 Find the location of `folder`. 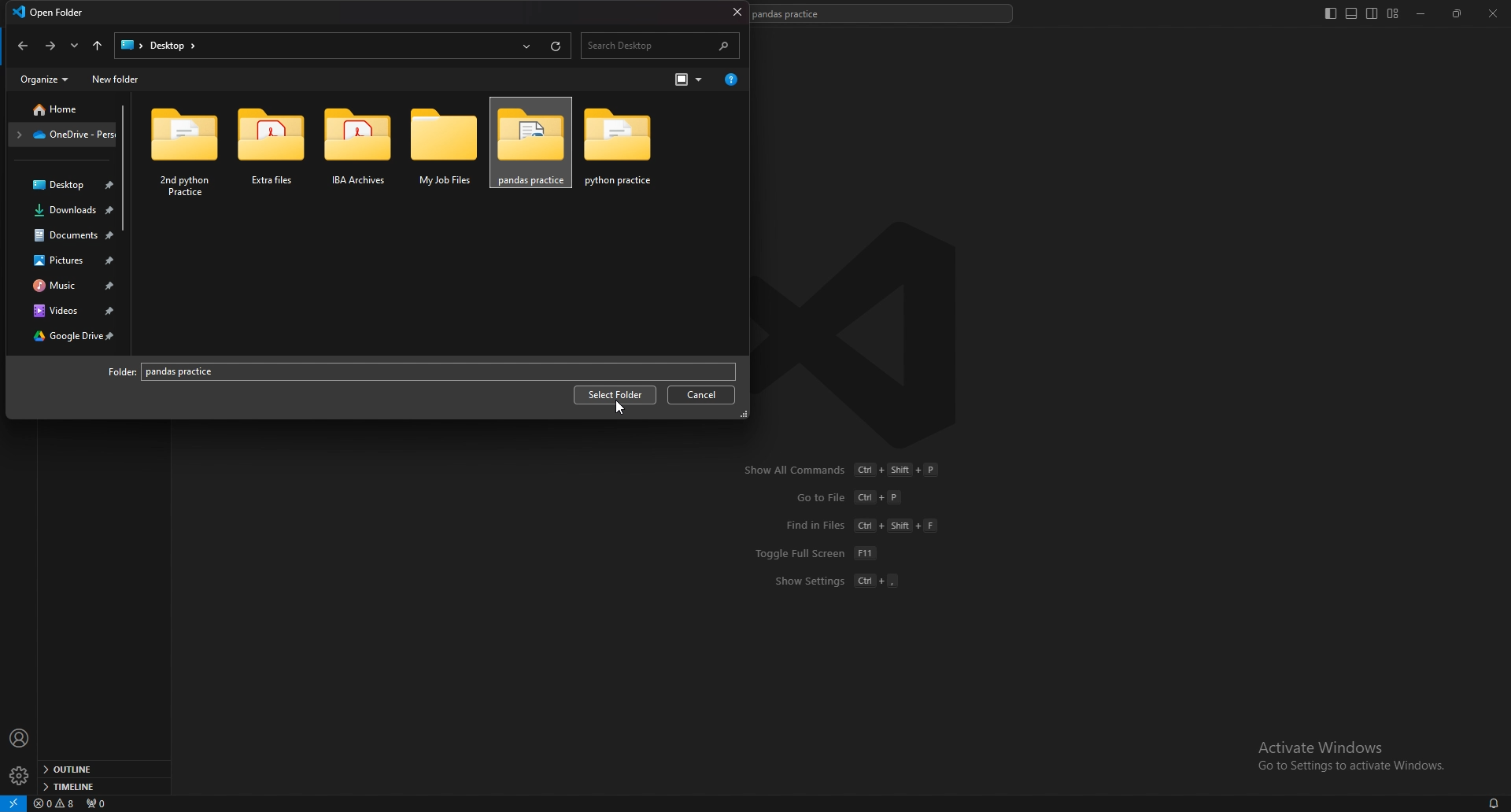

folder is located at coordinates (110, 372).